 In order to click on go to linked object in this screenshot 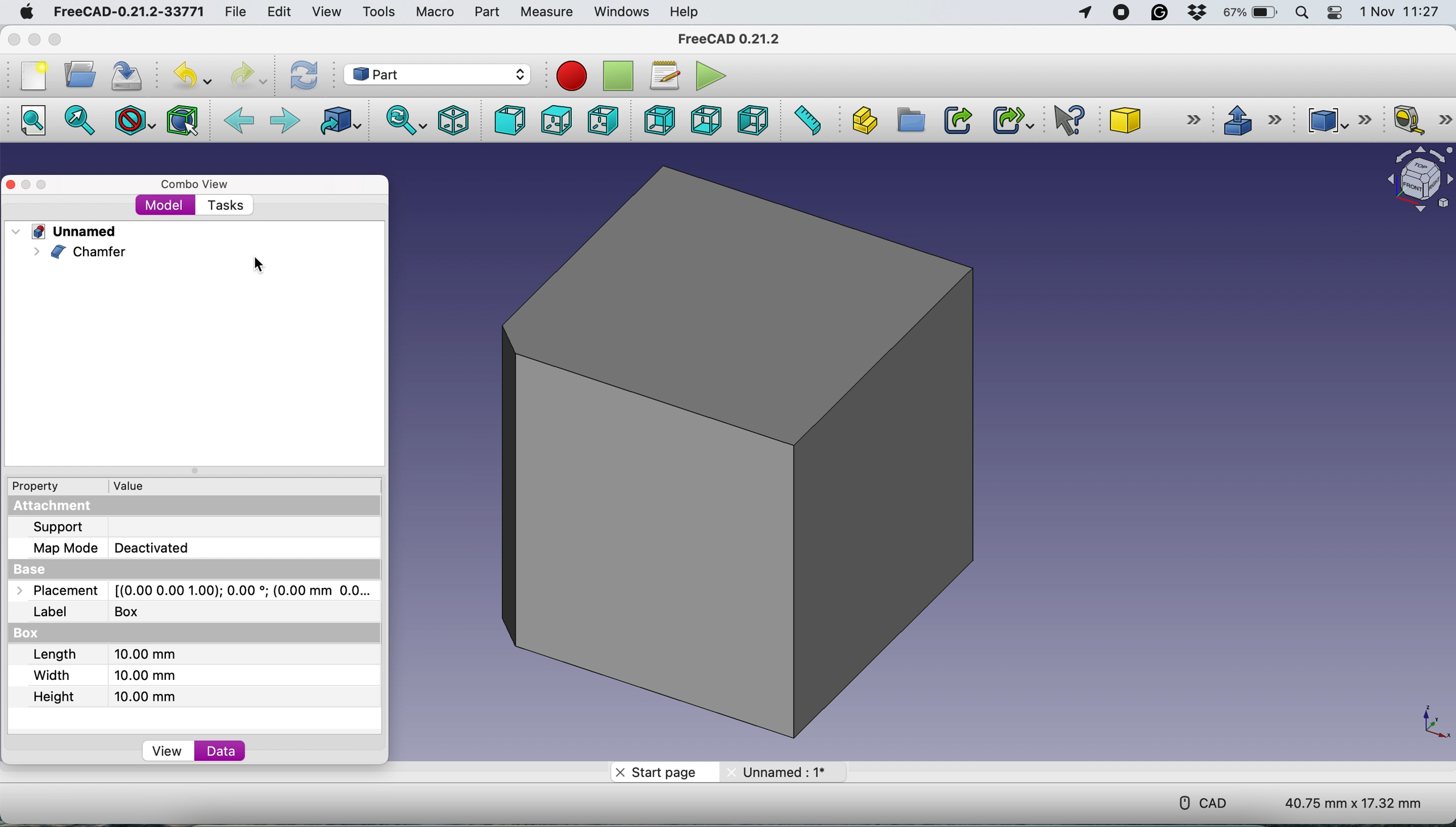, I will do `click(335, 120)`.